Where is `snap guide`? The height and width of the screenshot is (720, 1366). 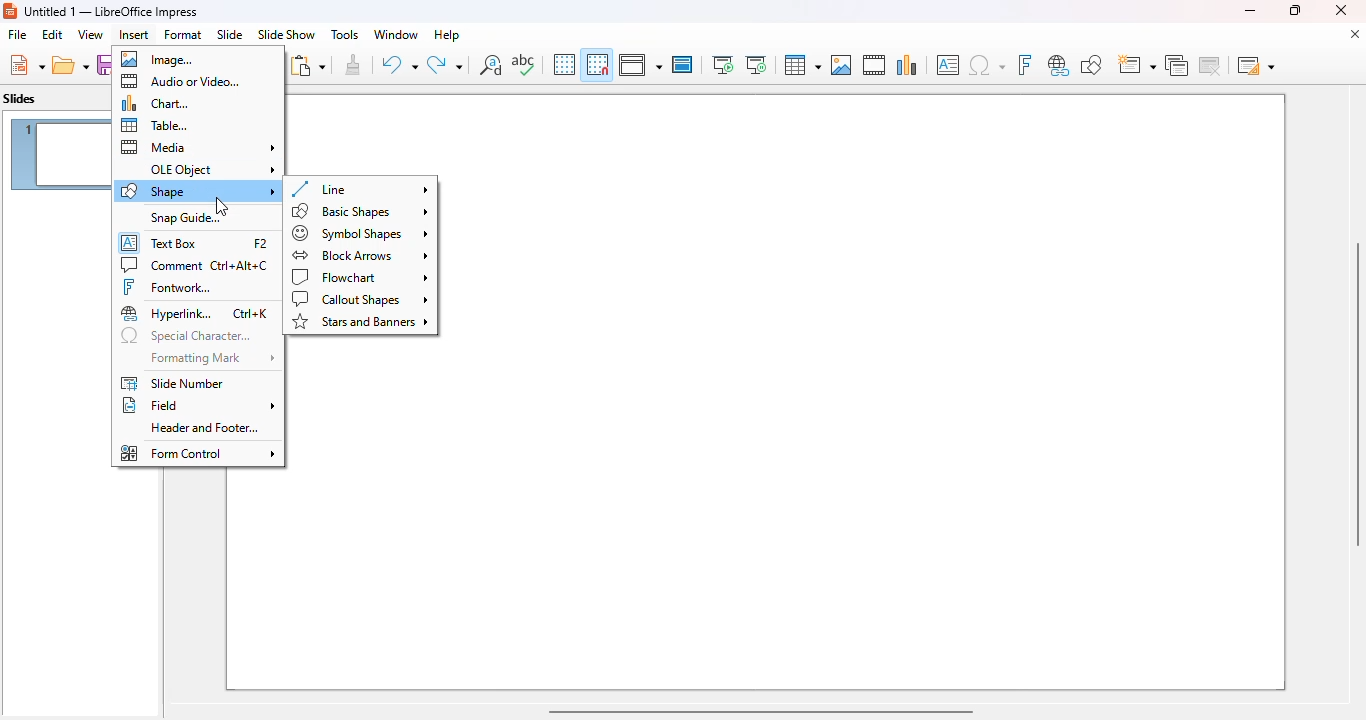 snap guide is located at coordinates (184, 218).